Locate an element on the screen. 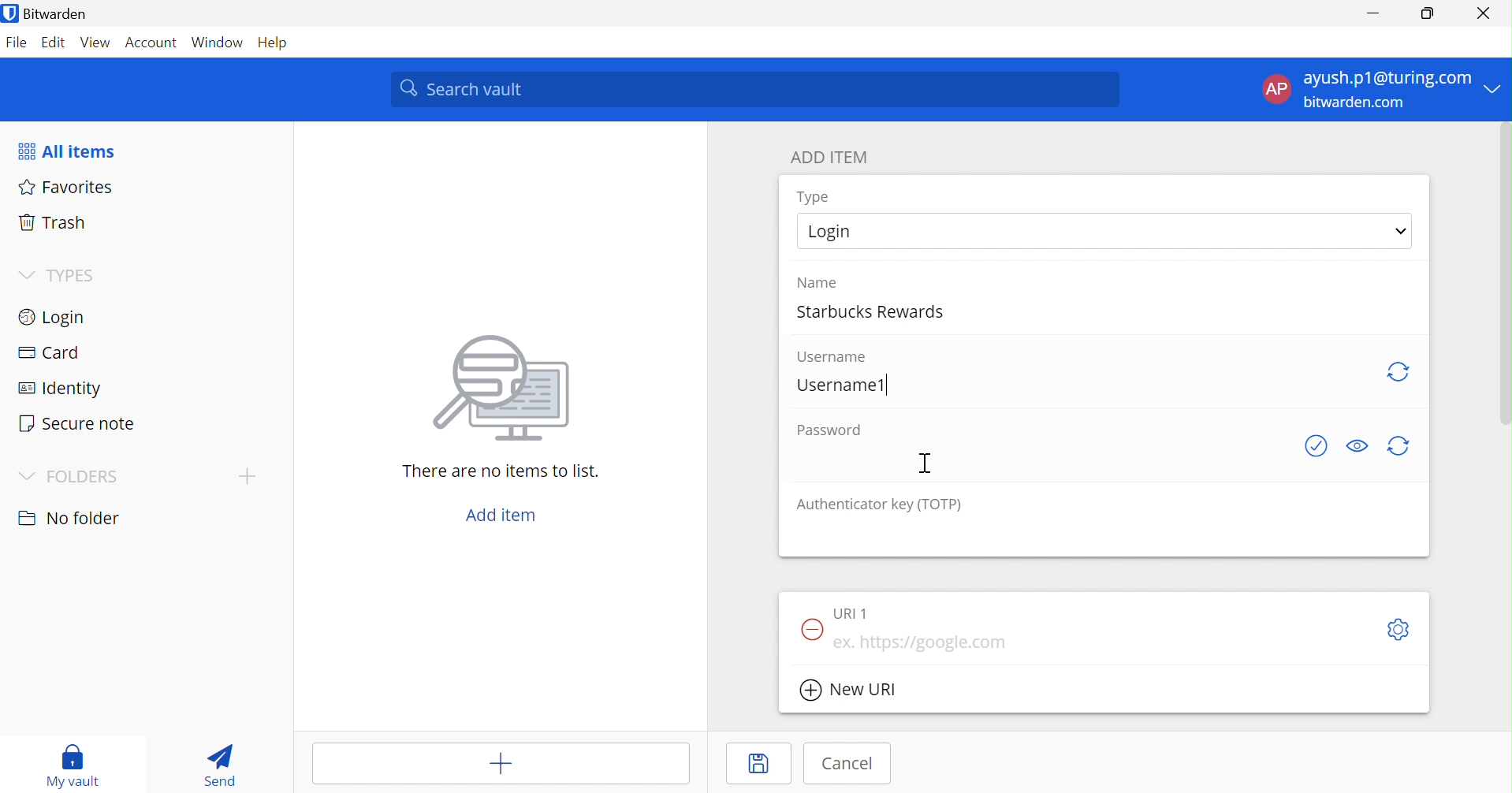 The height and width of the screenshot is (793, 1512). View is located at coordinates (95, 45).